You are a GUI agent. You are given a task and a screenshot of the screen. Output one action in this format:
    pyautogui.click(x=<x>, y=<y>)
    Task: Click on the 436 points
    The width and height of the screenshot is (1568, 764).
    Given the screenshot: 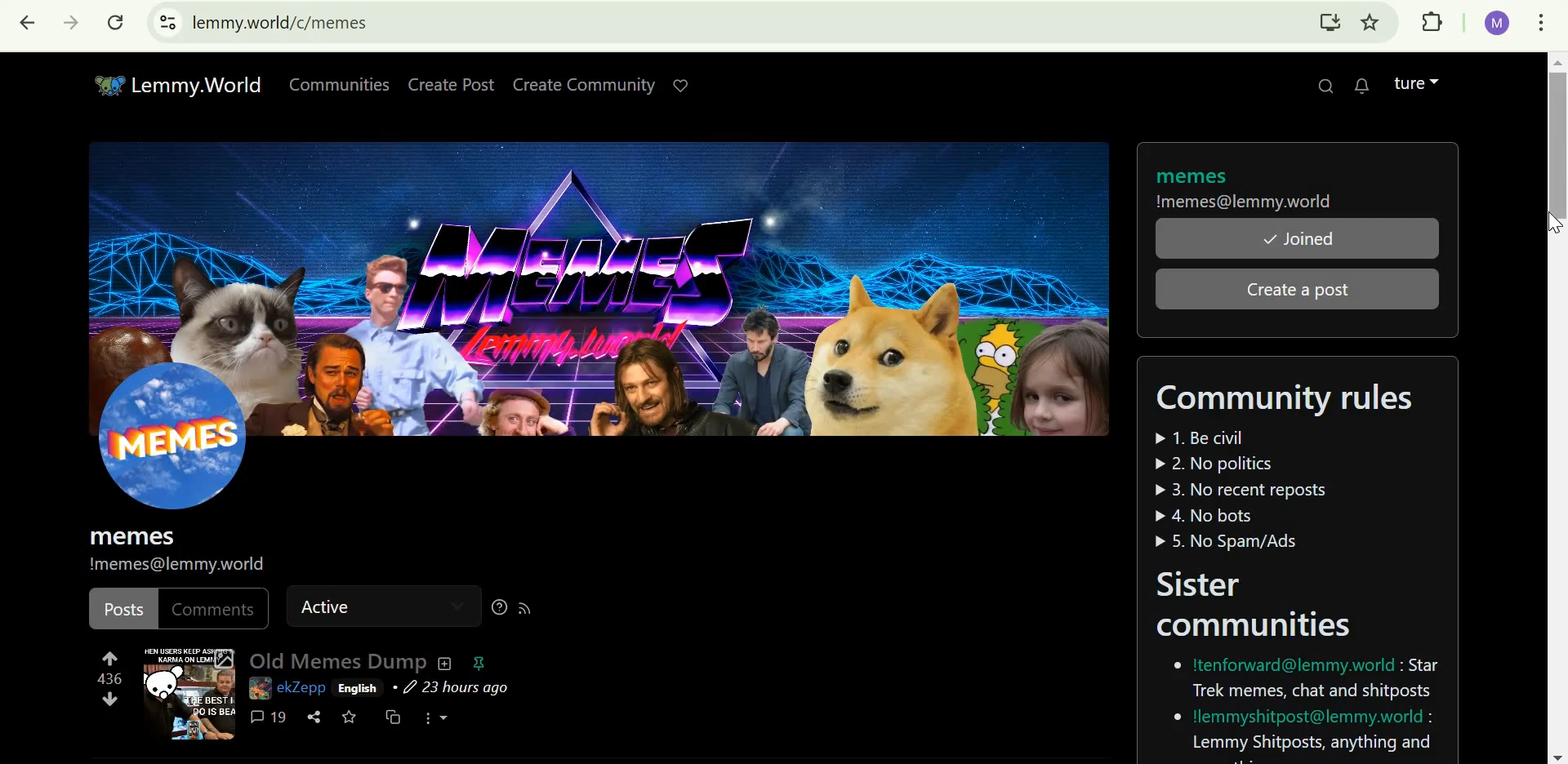 What is the action you would take?
    pyautogui.click(x=113, y=678)
    